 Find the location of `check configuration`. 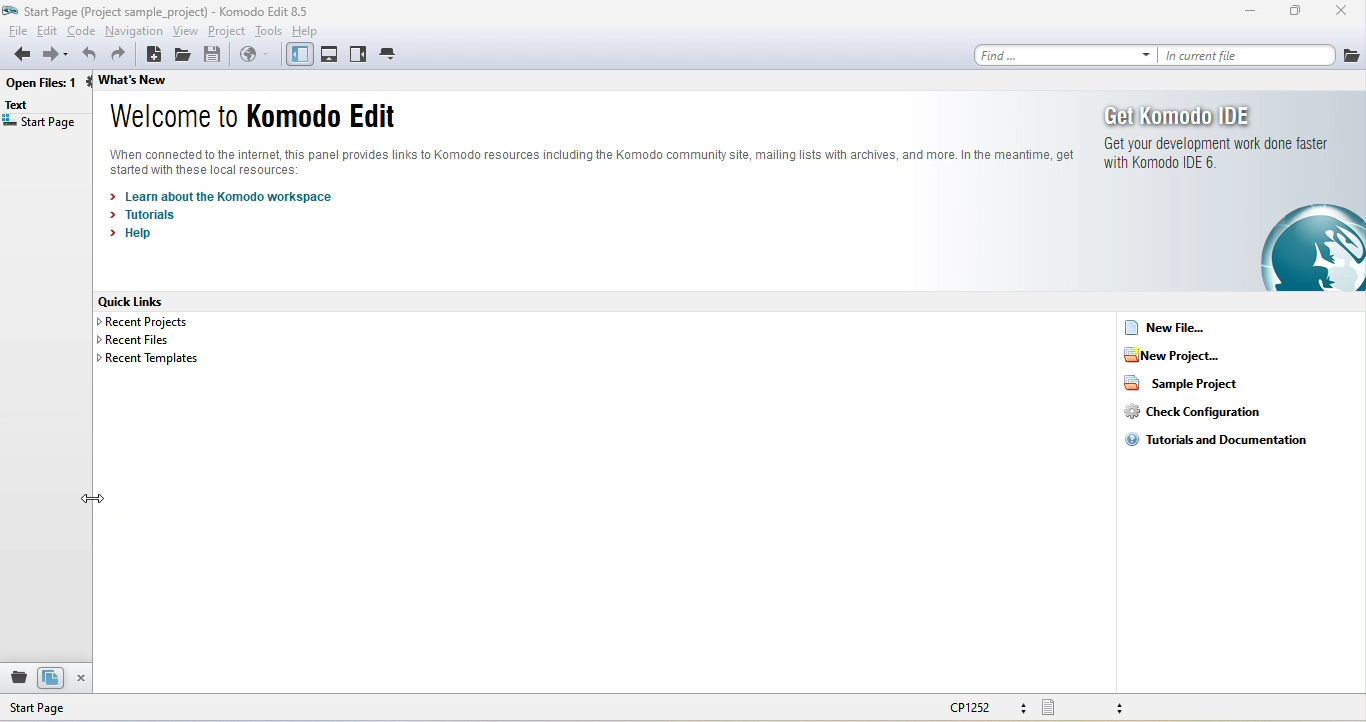

check configuration is located at coordinates (1192, 411).